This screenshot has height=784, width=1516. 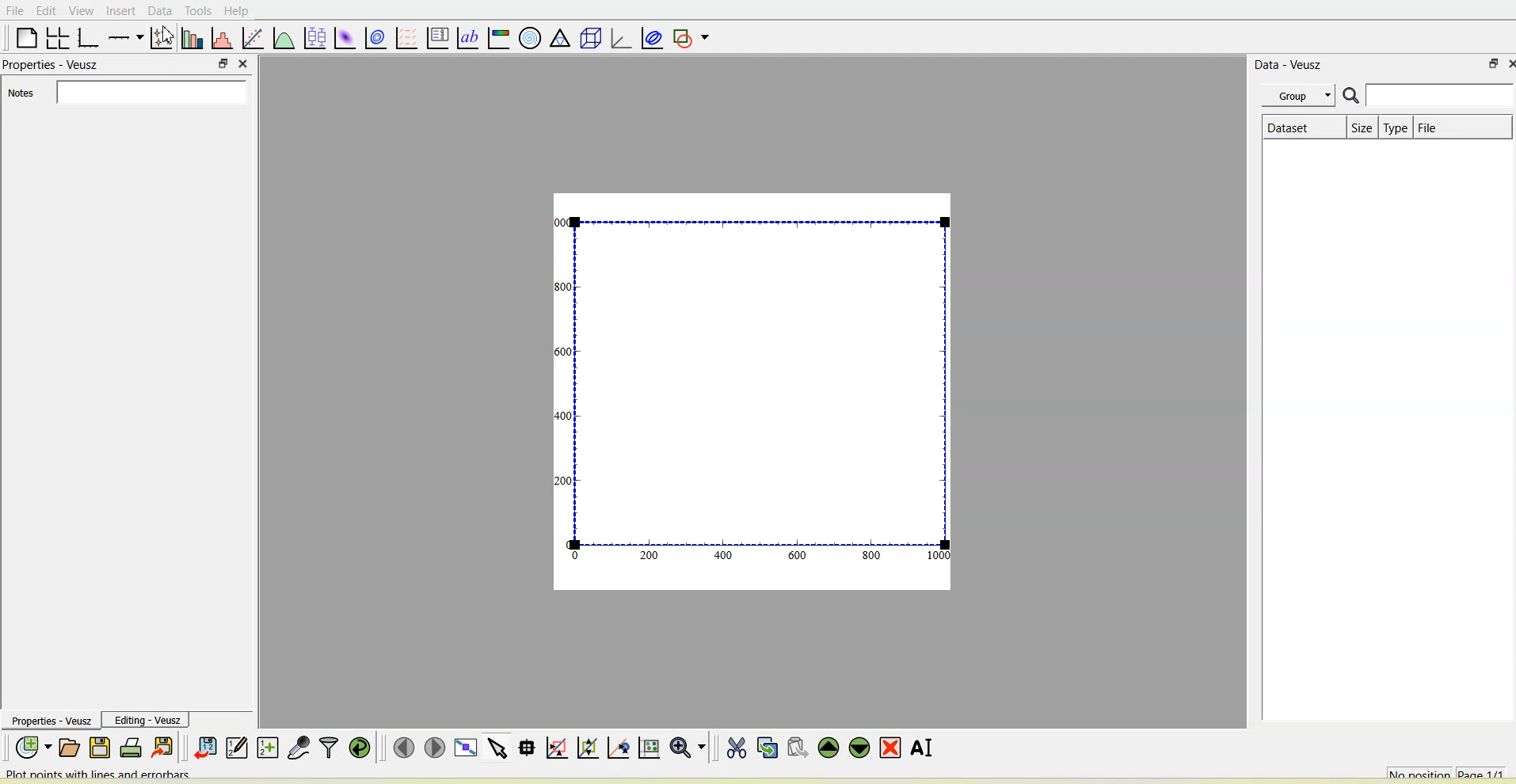 What do you see at coordinates (436, 36) in the screenshot?
I see `plot key` at bounding box center [436, 36].